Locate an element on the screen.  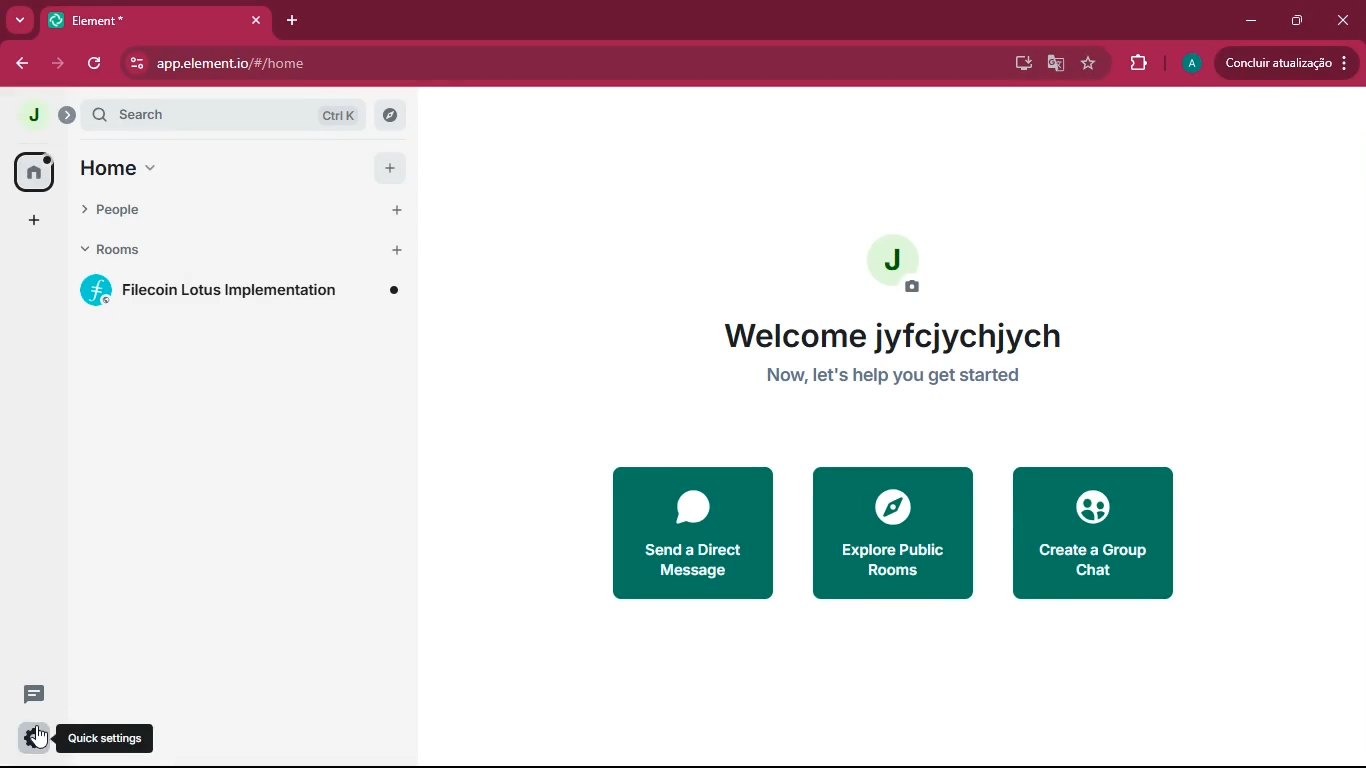
profile is located at coordinates (1190, 64).